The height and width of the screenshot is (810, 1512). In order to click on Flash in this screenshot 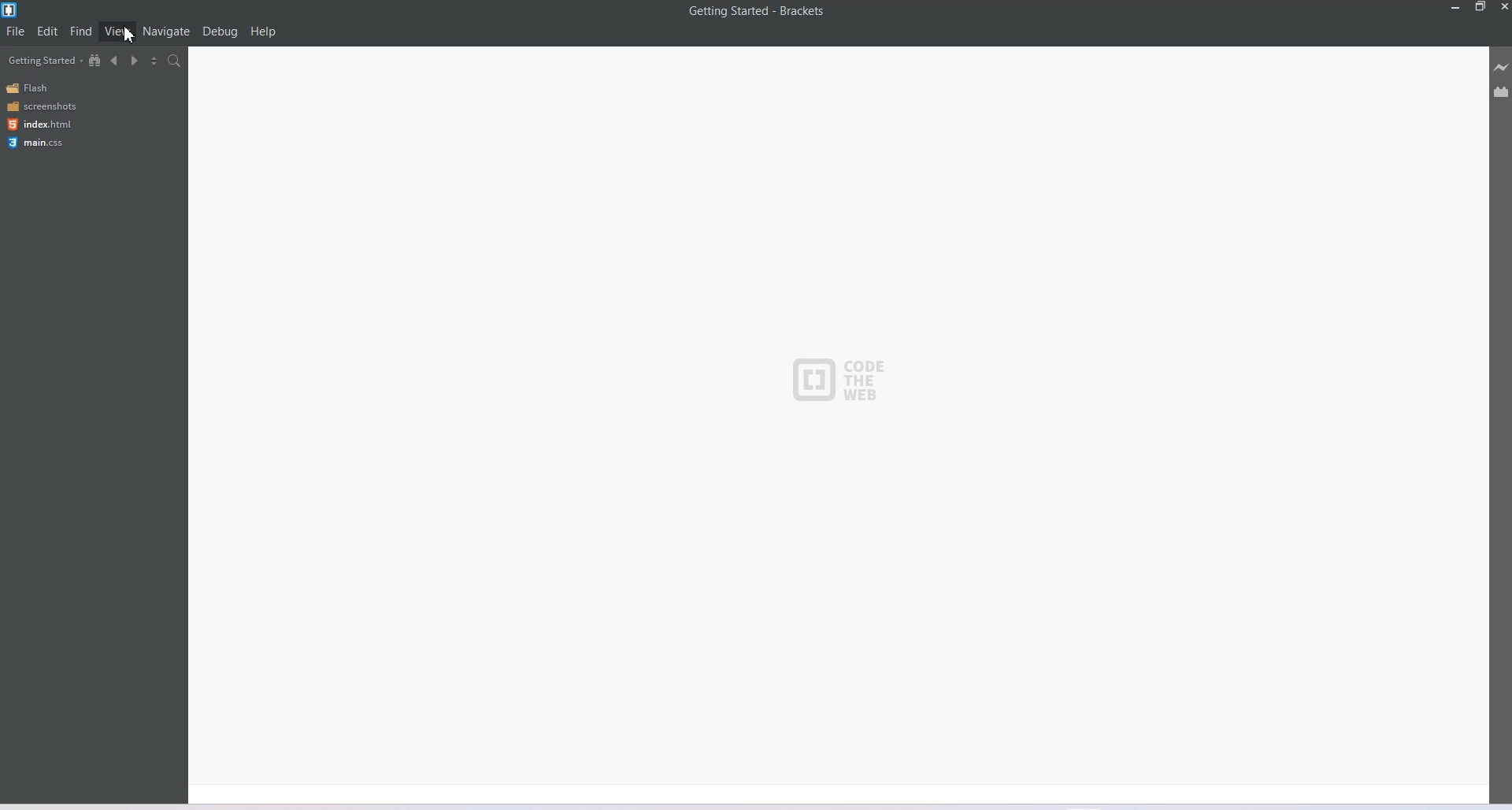, I will do `click(30, 88)`.